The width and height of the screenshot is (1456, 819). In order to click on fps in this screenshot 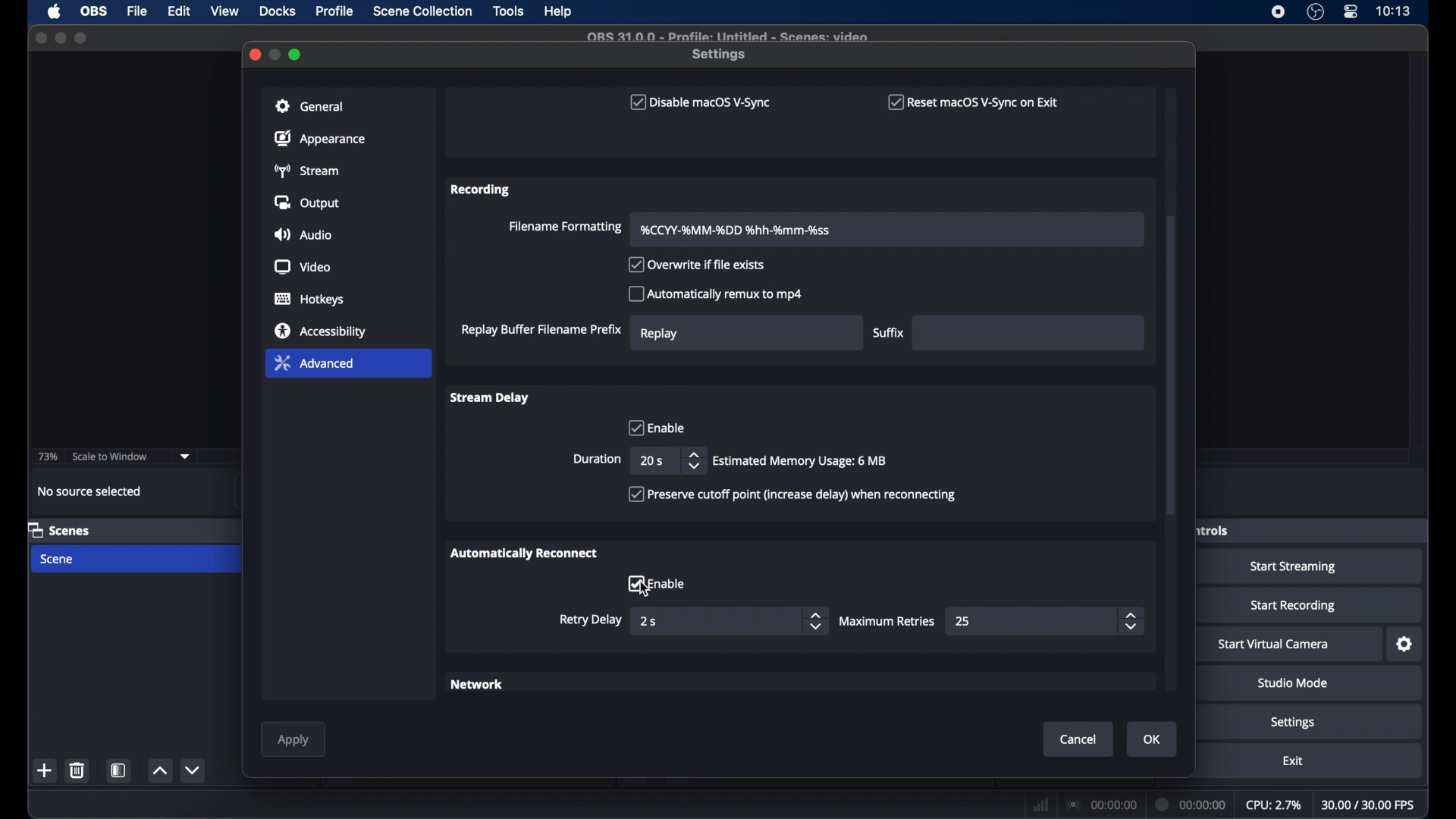, I will do `click(1369, 805)`.